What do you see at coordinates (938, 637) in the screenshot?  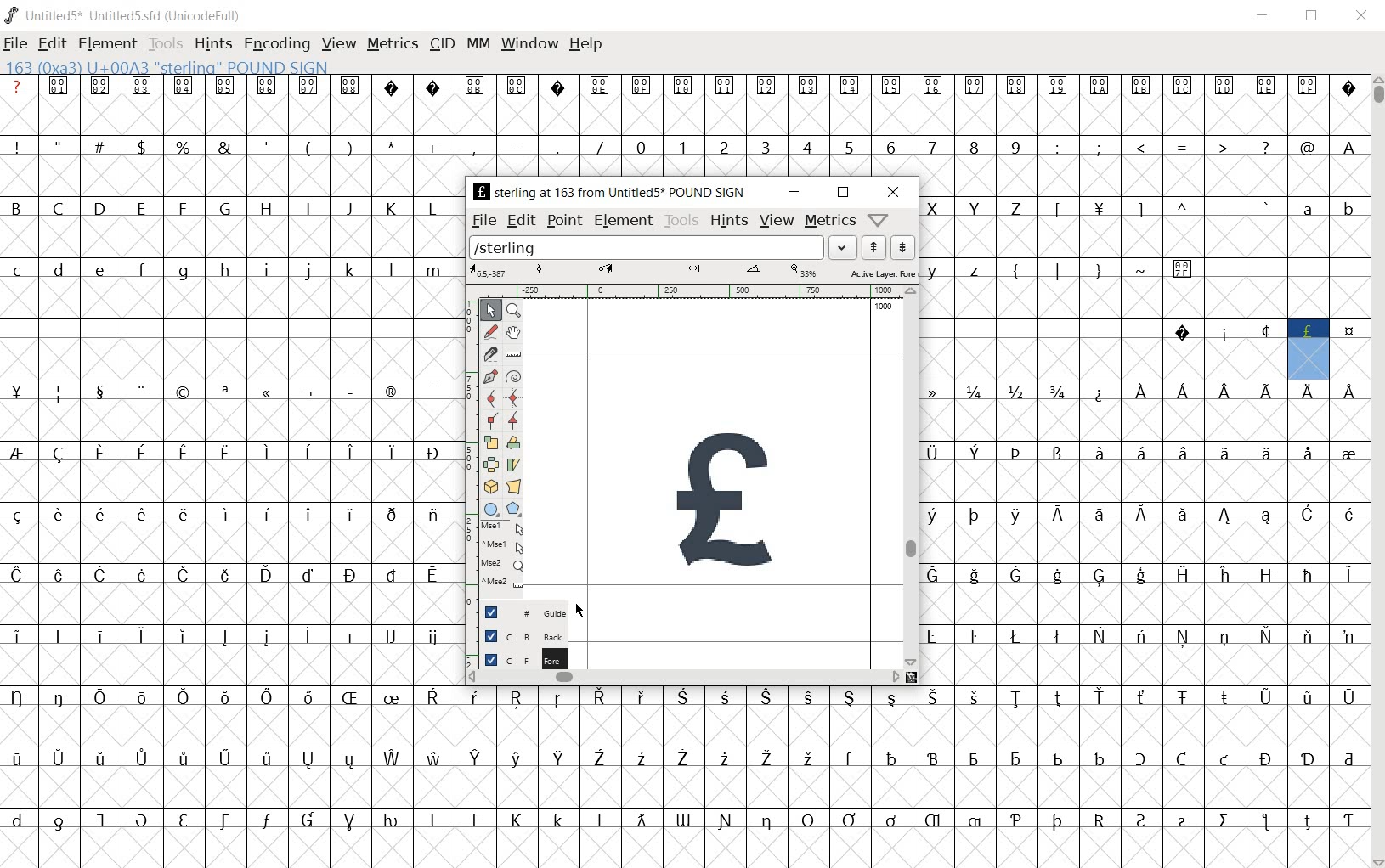 I see `Symbol` at bounding box center [938, 637].